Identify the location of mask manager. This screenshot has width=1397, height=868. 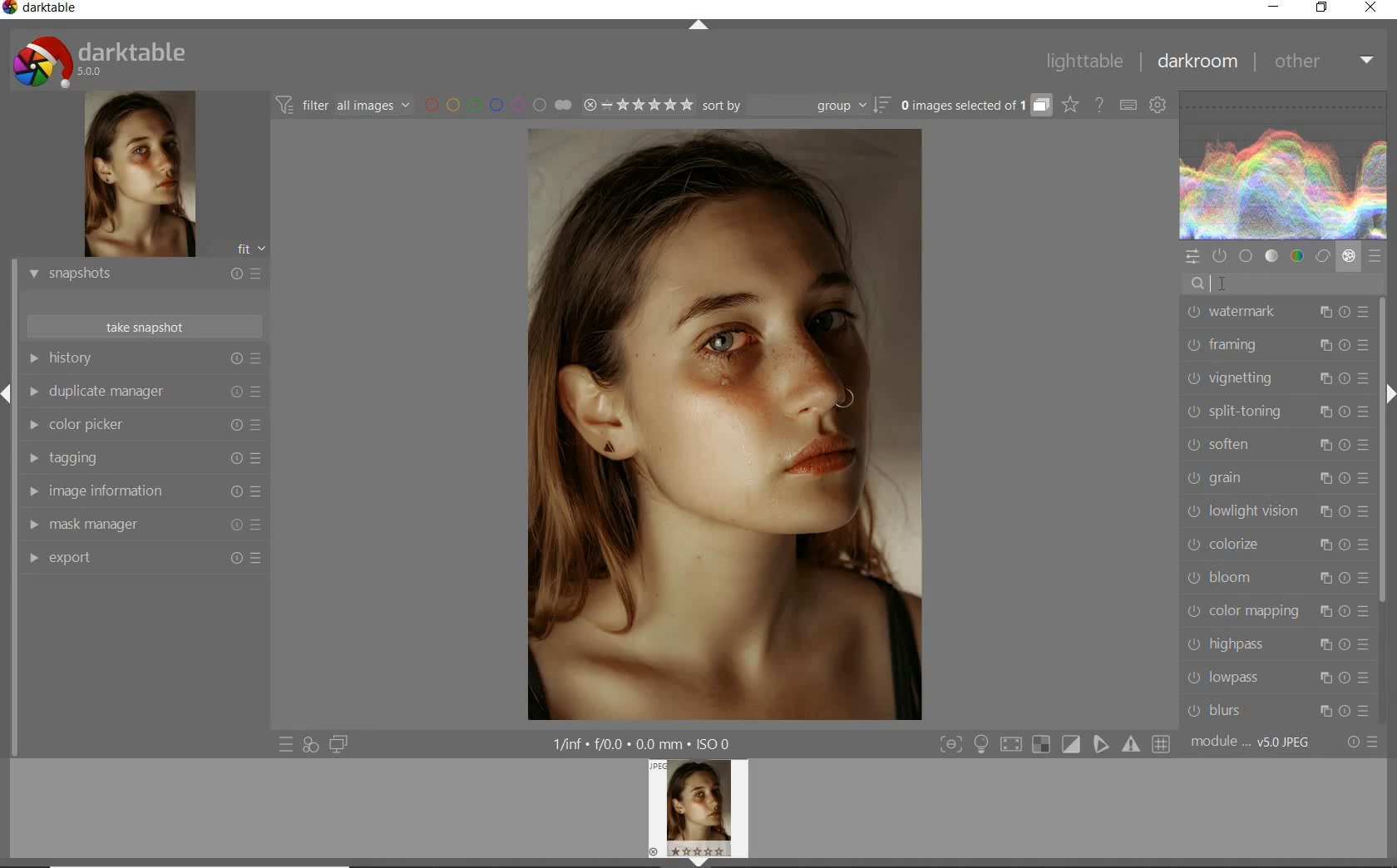
(147, 525).